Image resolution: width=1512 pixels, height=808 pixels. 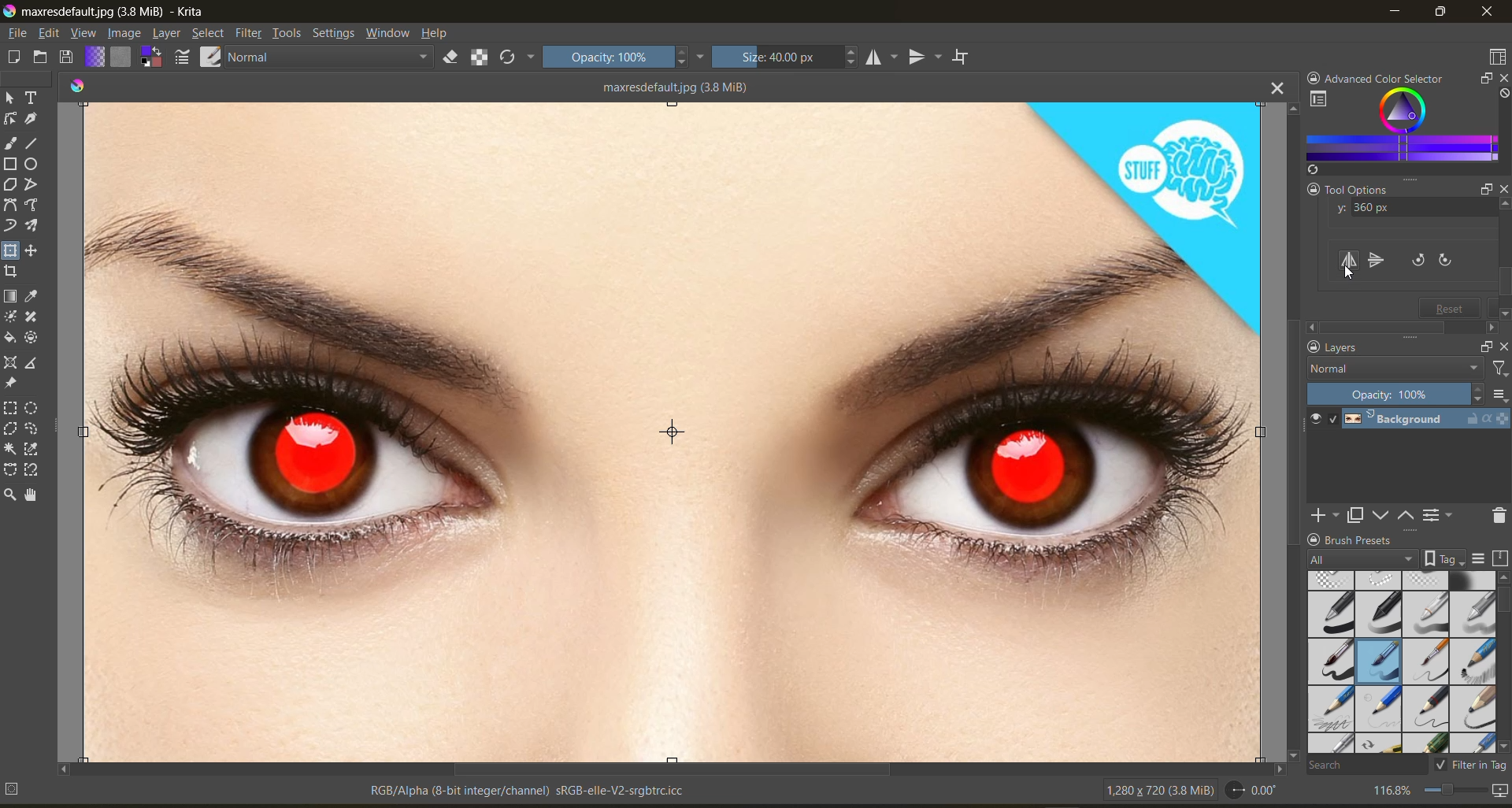 I want to click on zoom, so click(x=1451, y=790).